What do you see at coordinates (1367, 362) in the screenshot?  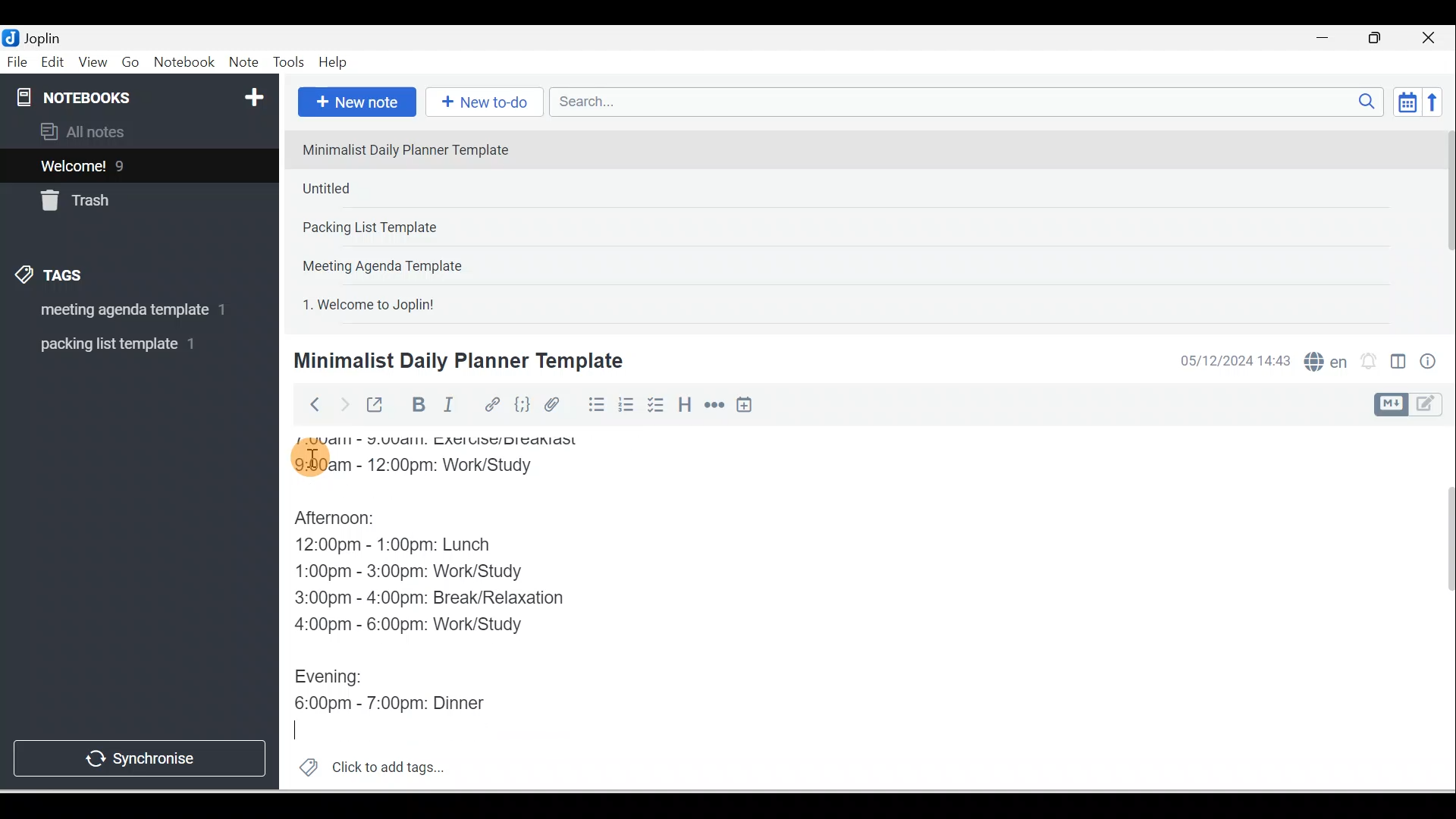 I see `Set alarm` at bounding box center [1367, 362].